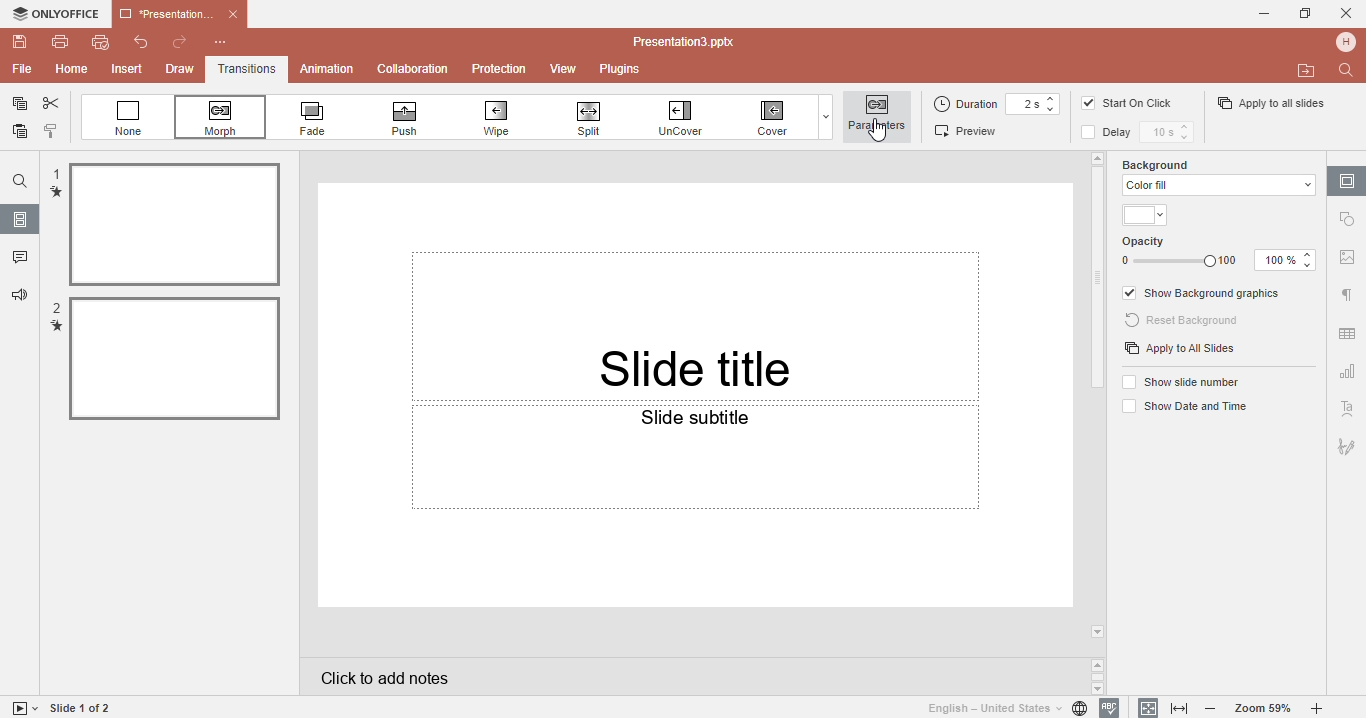 The image size is (1366, 718). What do you see at coordinates (175, 358) in the screenshot?
I see `Slected file 2` at bounding box center [175, 358].